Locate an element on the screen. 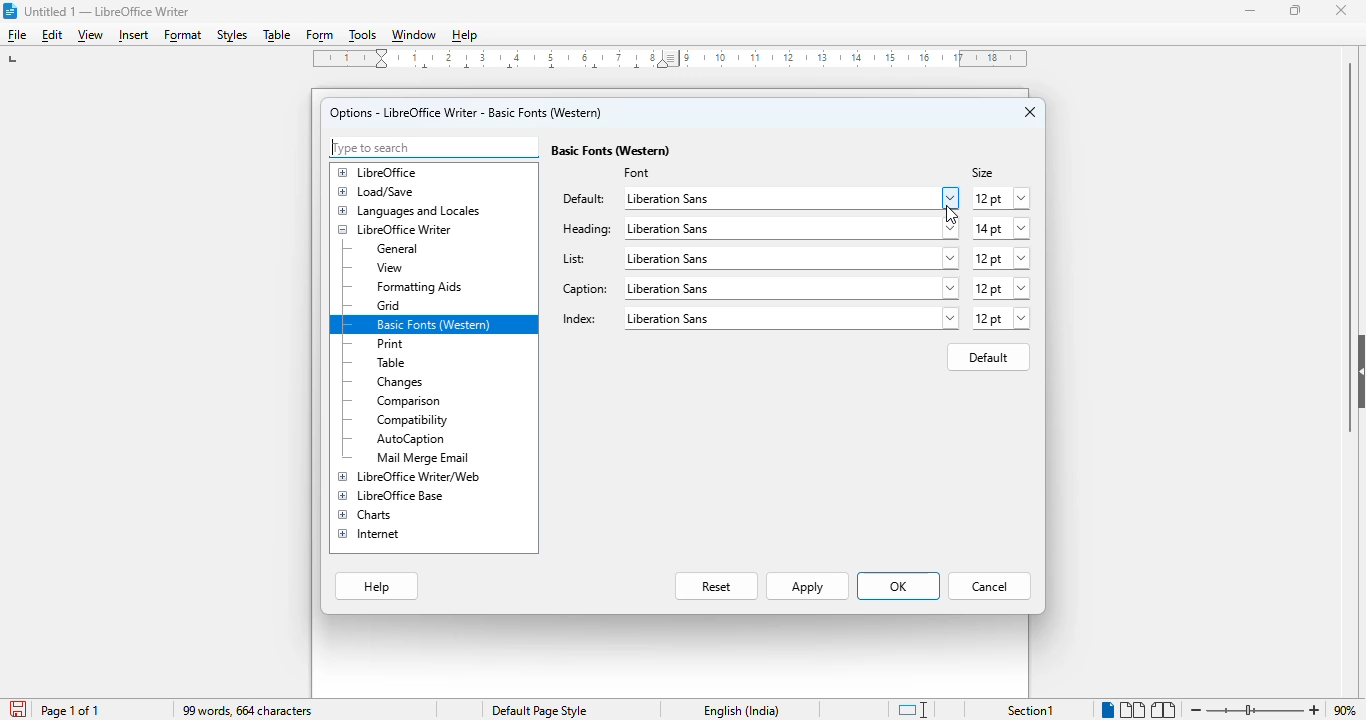 The image size is (1366, 720). help is located at coordinates (464, 37).